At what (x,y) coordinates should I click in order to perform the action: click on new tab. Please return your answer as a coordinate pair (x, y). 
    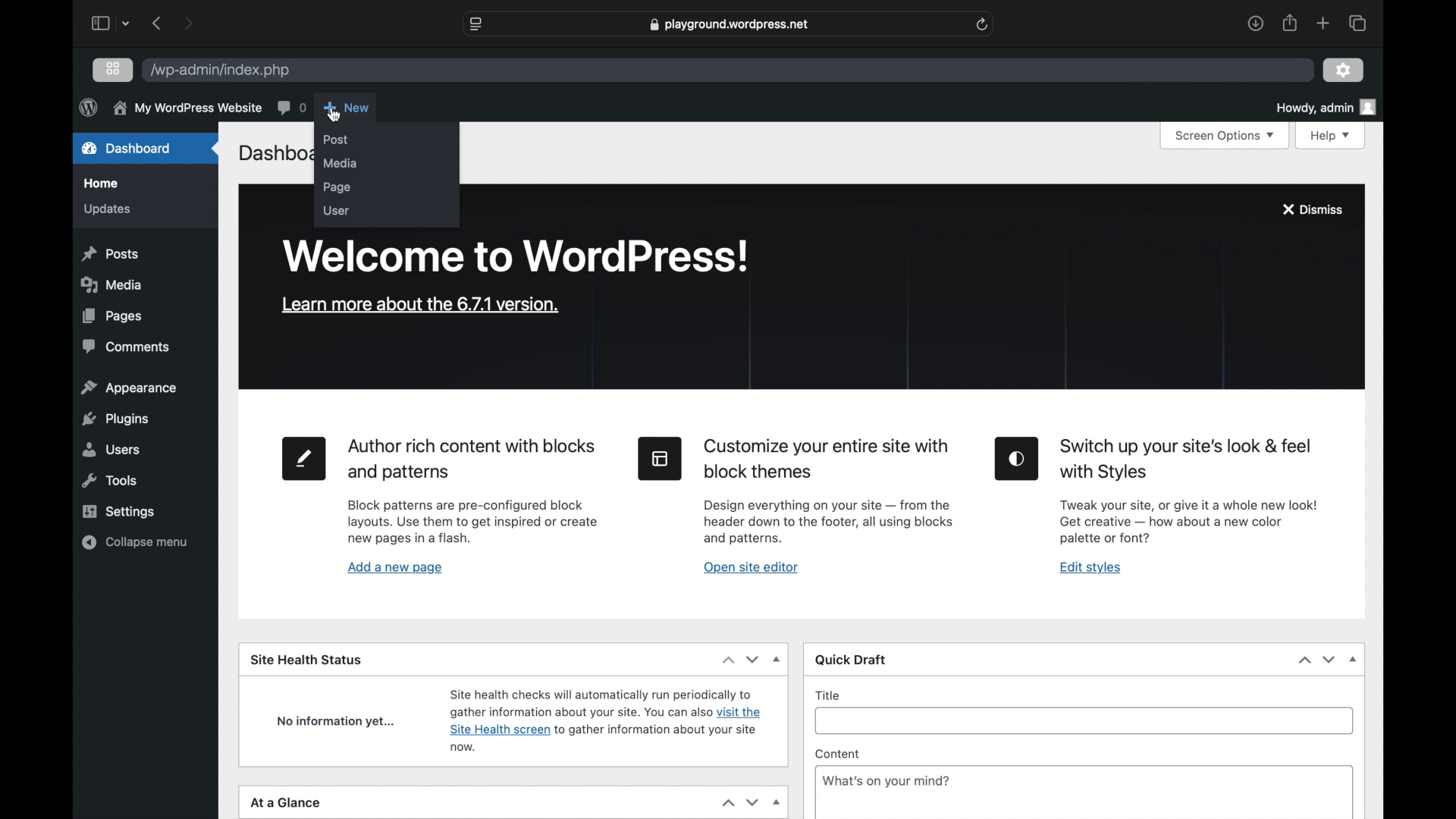
    Looking at the image, I should click on (1323, 24).